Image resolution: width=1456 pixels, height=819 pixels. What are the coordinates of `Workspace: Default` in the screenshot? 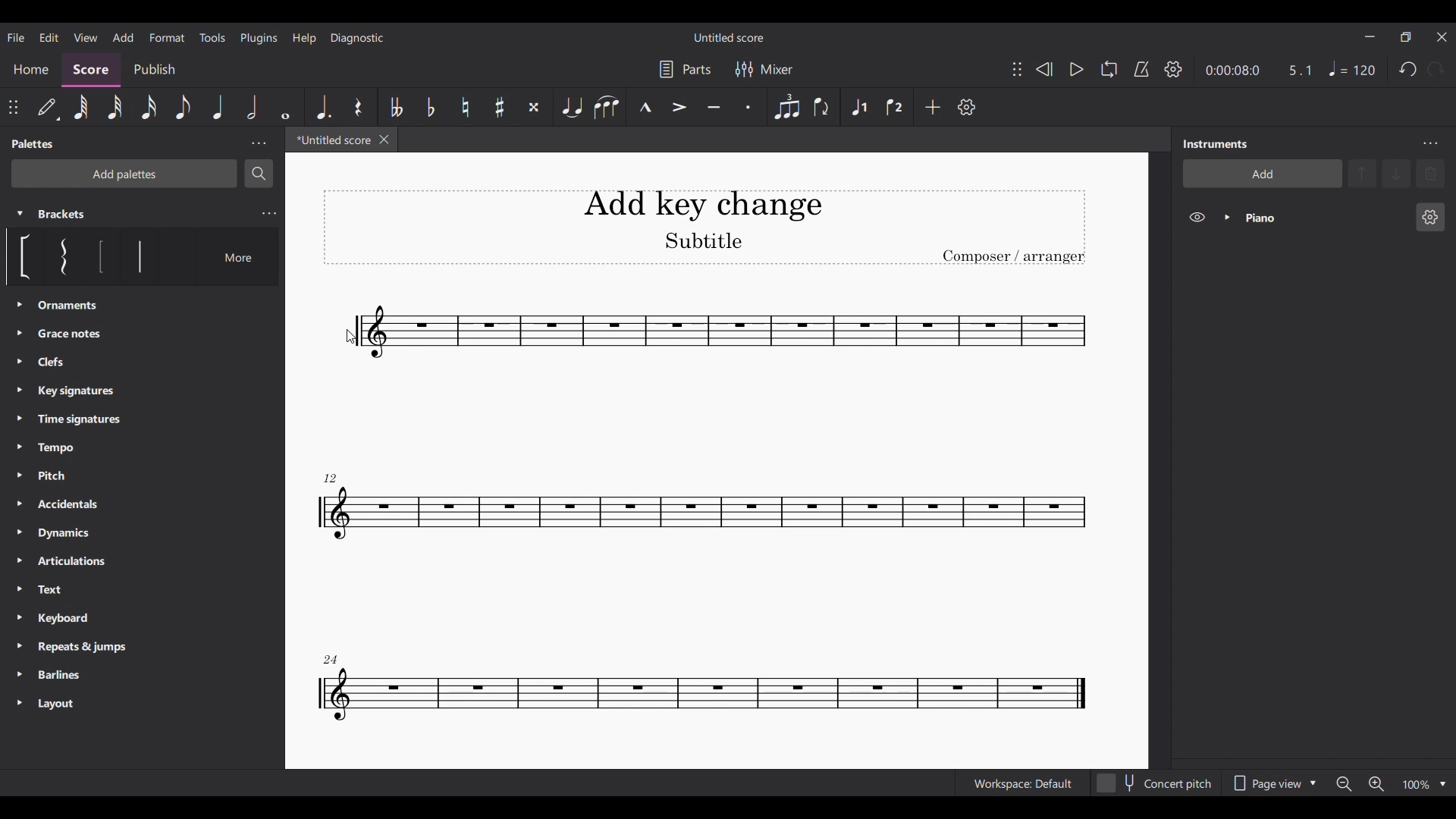 It's located at (1023, 783).